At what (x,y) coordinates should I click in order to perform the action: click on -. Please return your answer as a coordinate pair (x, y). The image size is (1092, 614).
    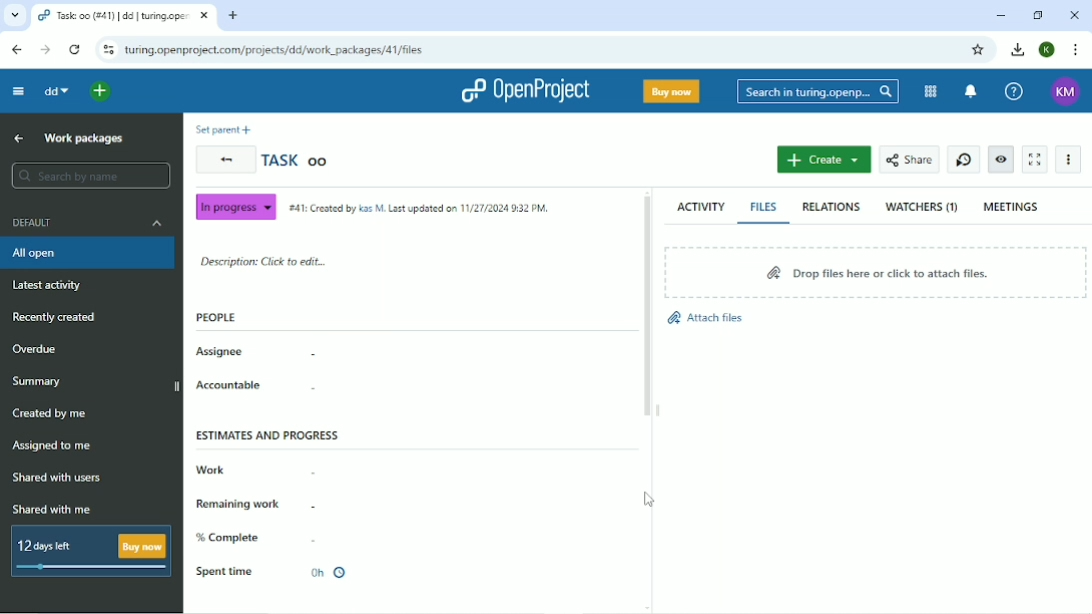
    Looking at the image, I should click on (320, 540).